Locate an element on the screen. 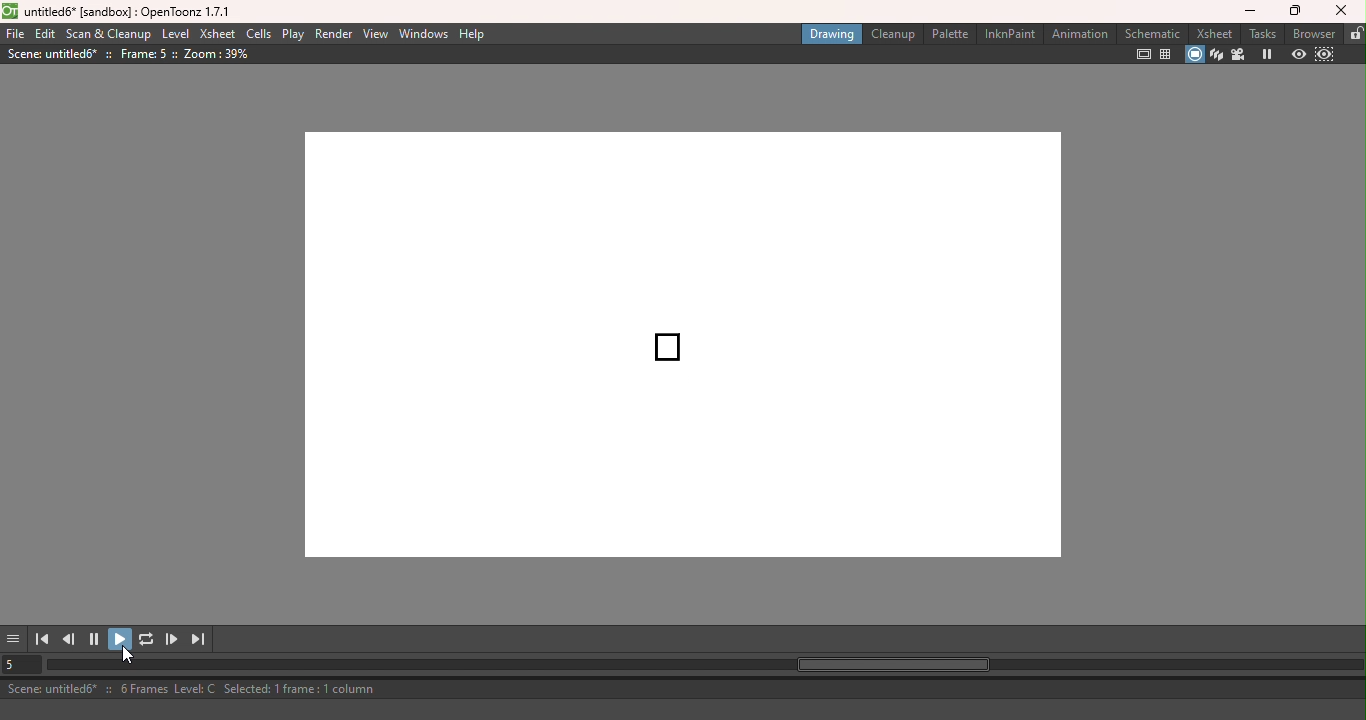 The image size is (1366, 720). Help is located at coordinates (470, 35).